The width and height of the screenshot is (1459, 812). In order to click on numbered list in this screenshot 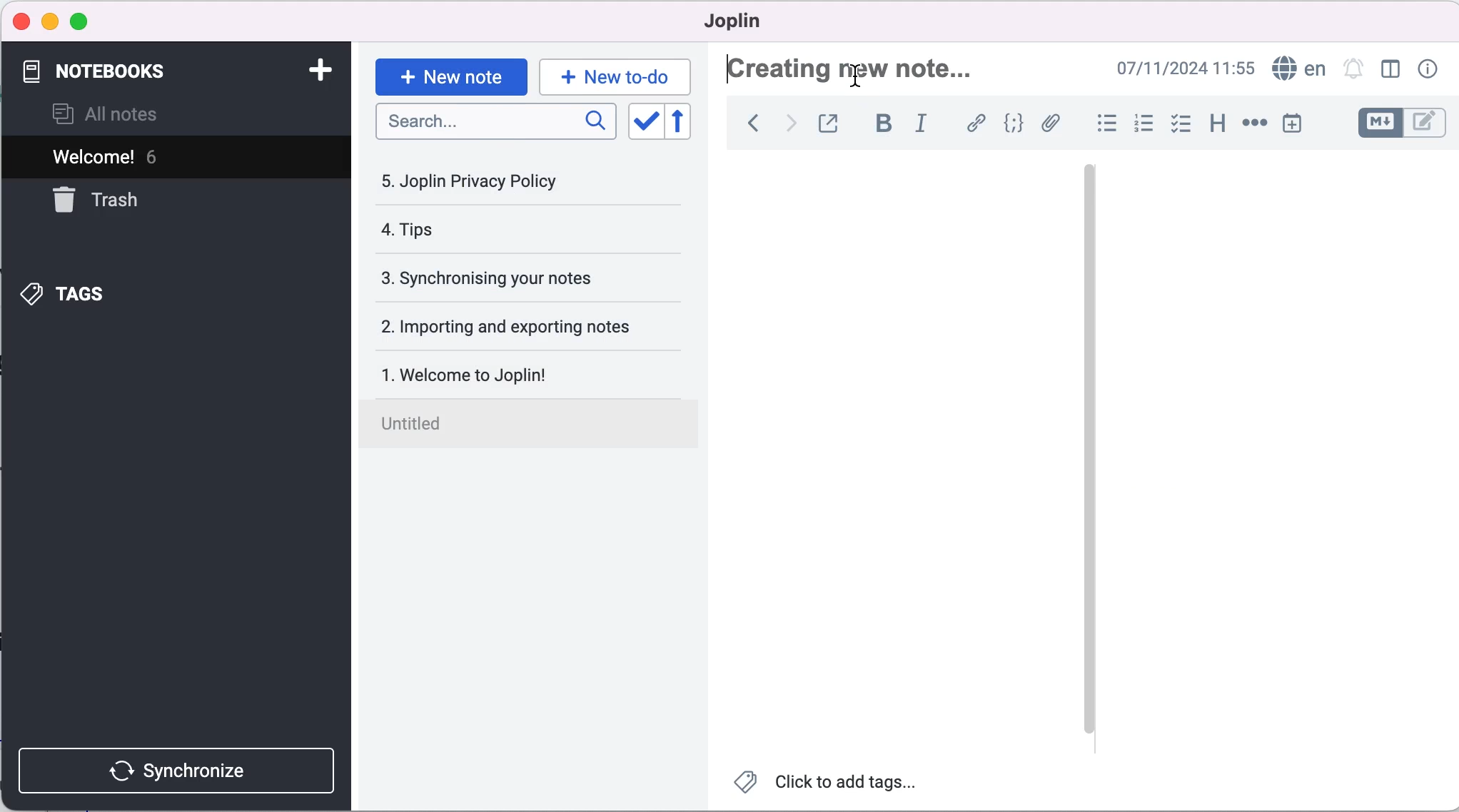, I will do `click(1141, 123)`.